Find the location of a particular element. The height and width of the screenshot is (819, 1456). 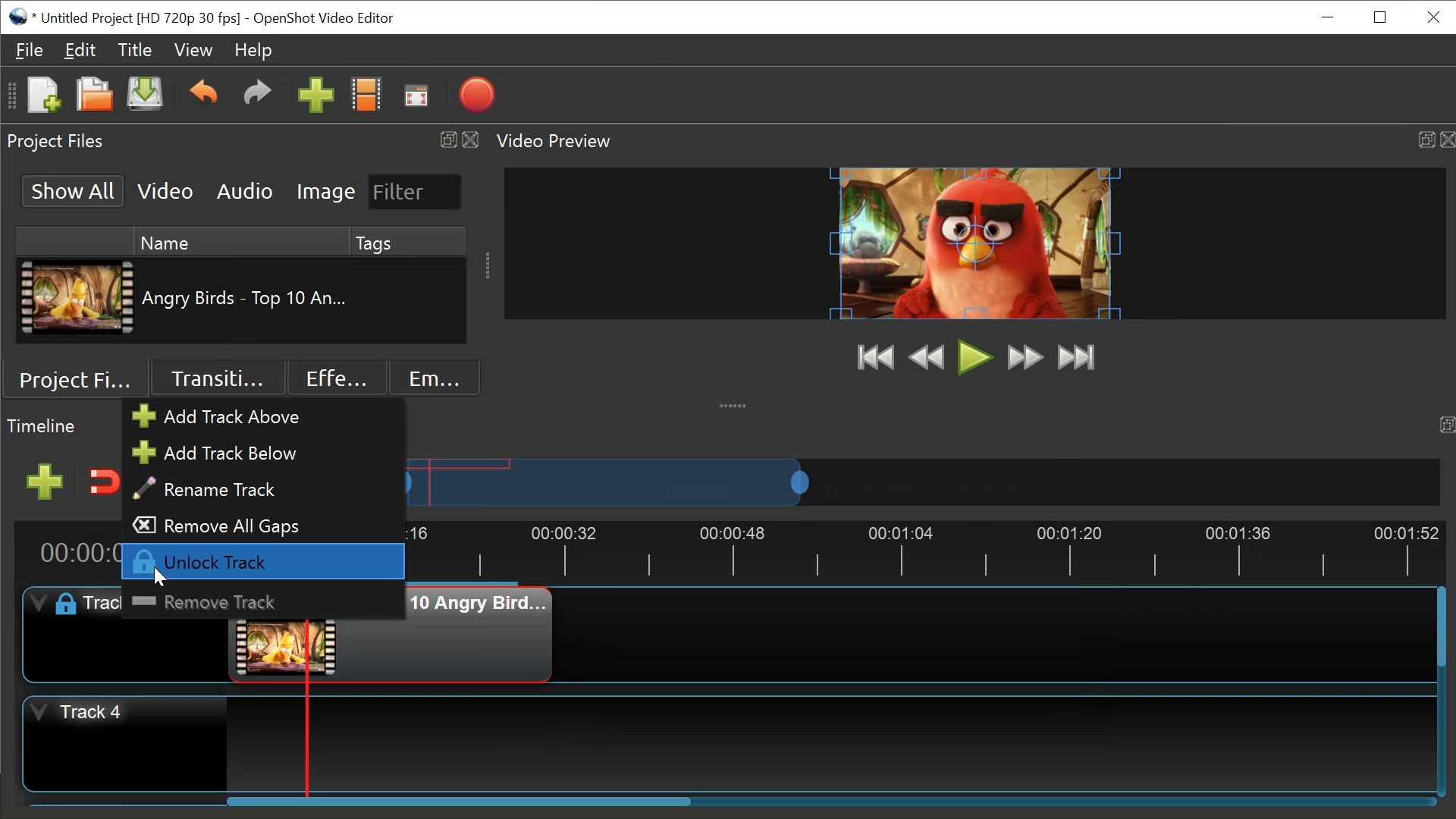

Track Header is located at coordinates (95, 712).